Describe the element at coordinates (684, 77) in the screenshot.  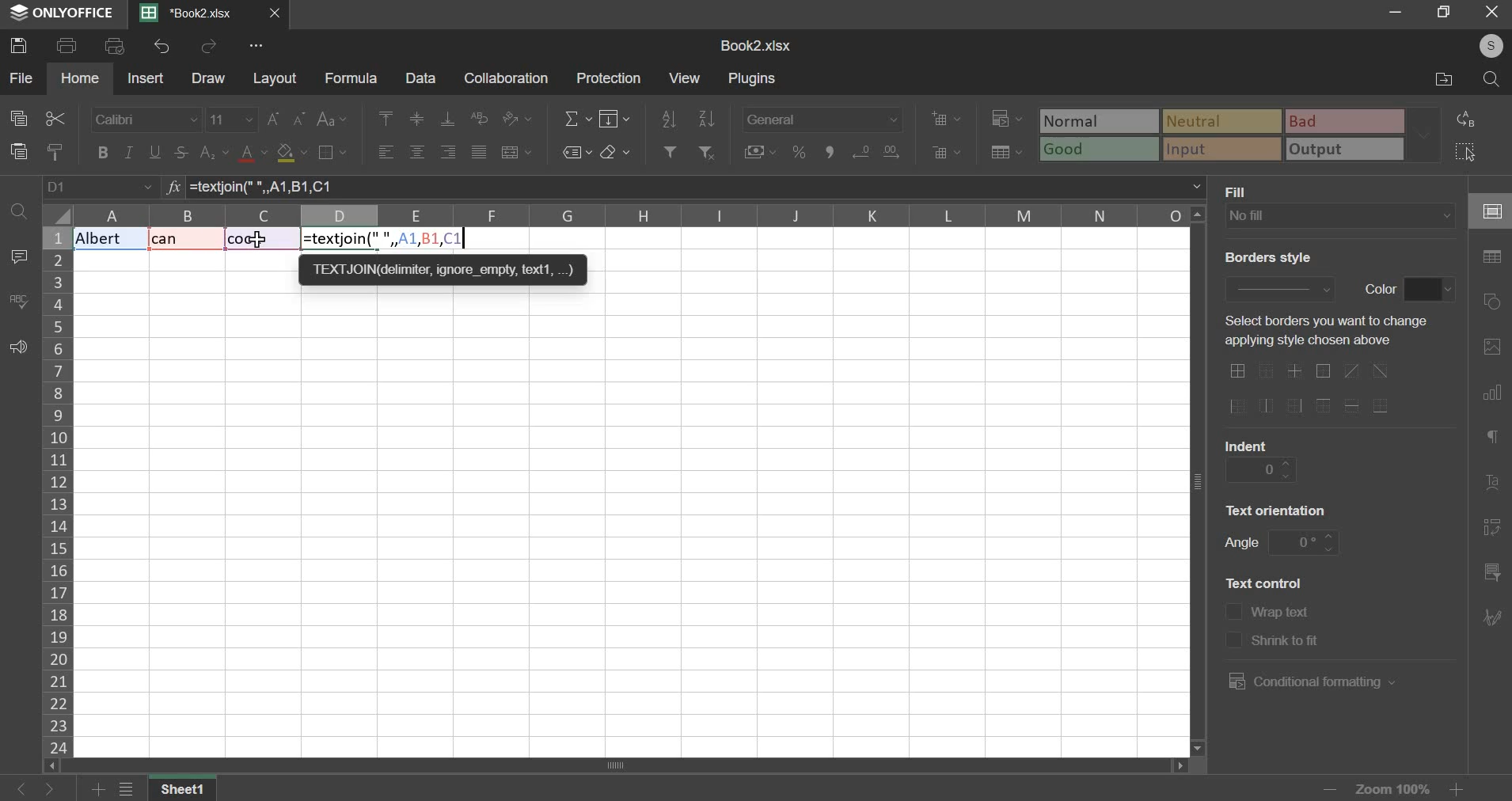
I see `view` at that location.